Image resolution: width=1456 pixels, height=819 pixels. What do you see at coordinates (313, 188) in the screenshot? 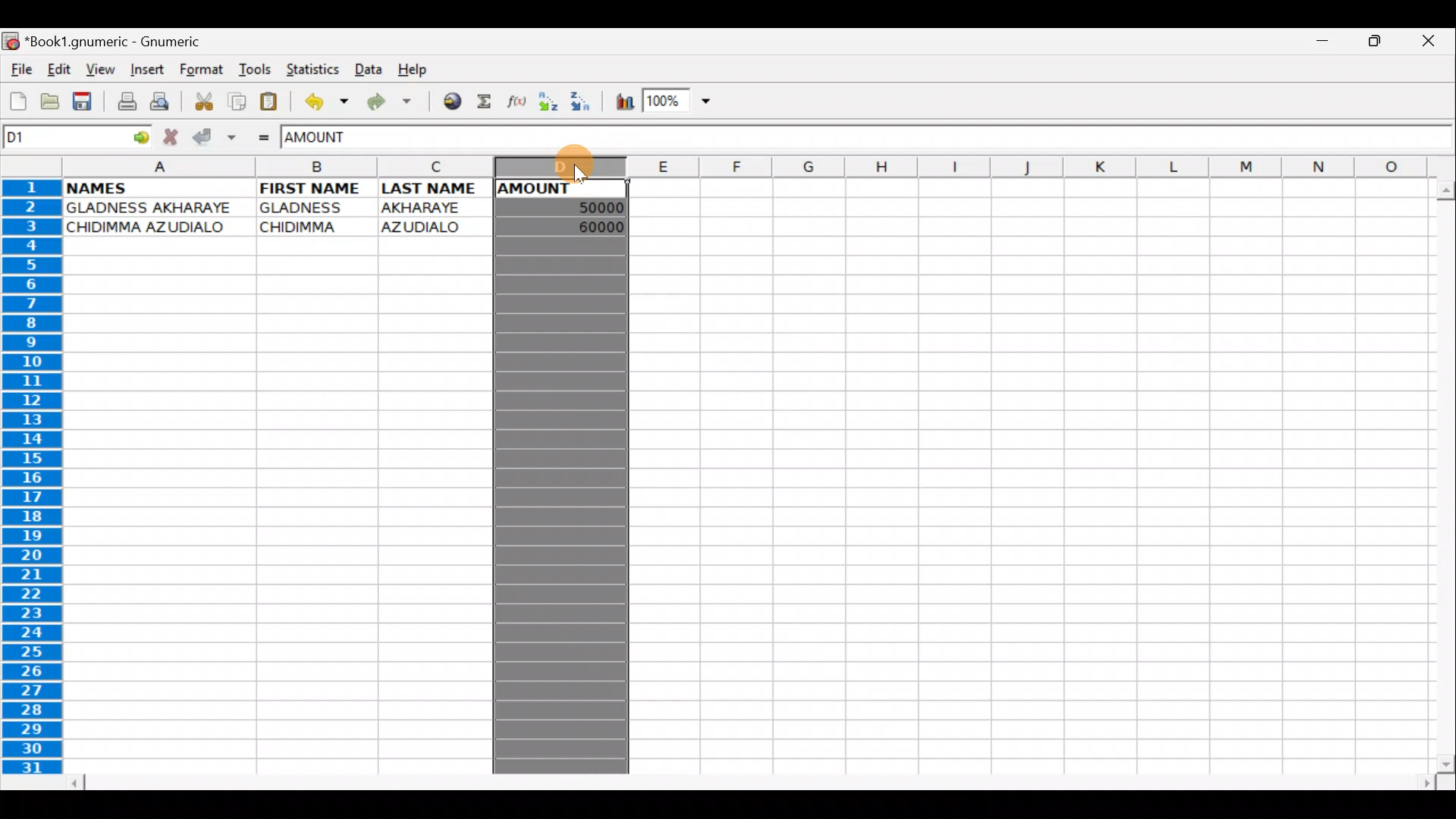
I see `FIRST NAME` at bounding box center [313, 188].